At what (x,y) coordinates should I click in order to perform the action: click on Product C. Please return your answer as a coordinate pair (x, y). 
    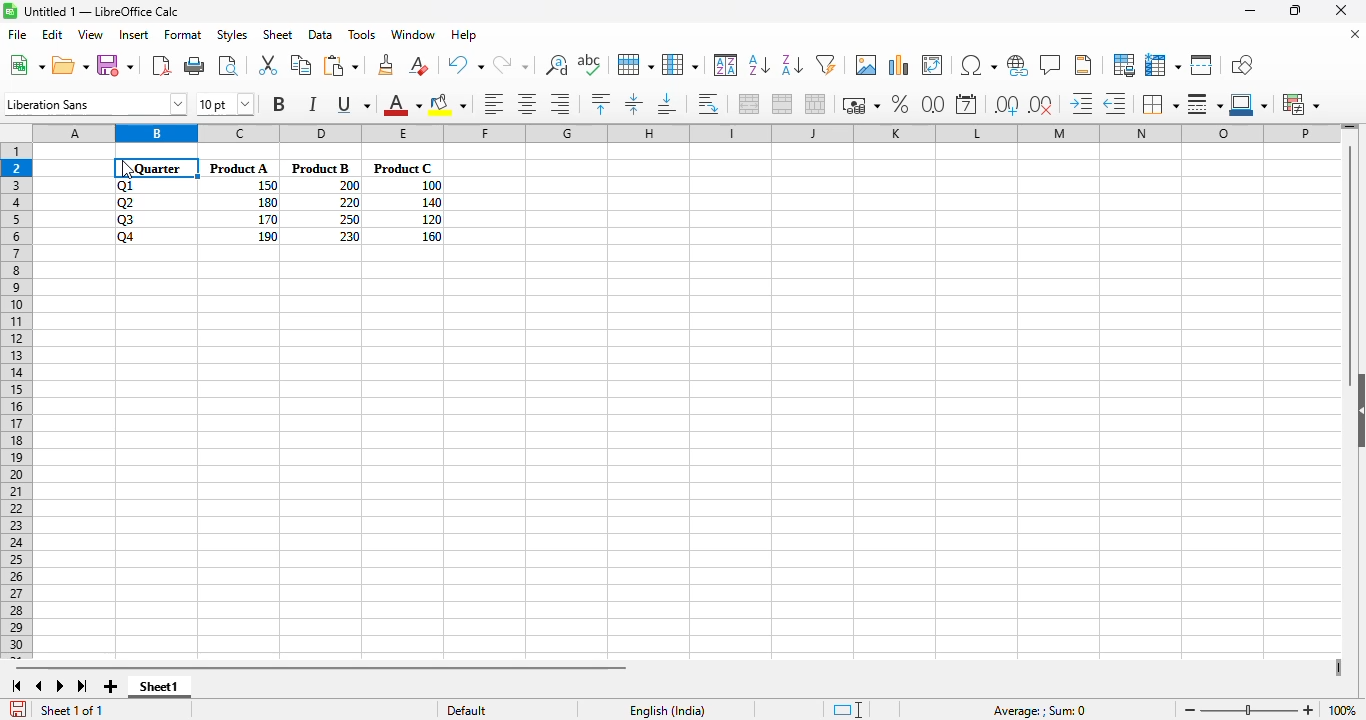
    Looking at the image, I should click on (401, 168).